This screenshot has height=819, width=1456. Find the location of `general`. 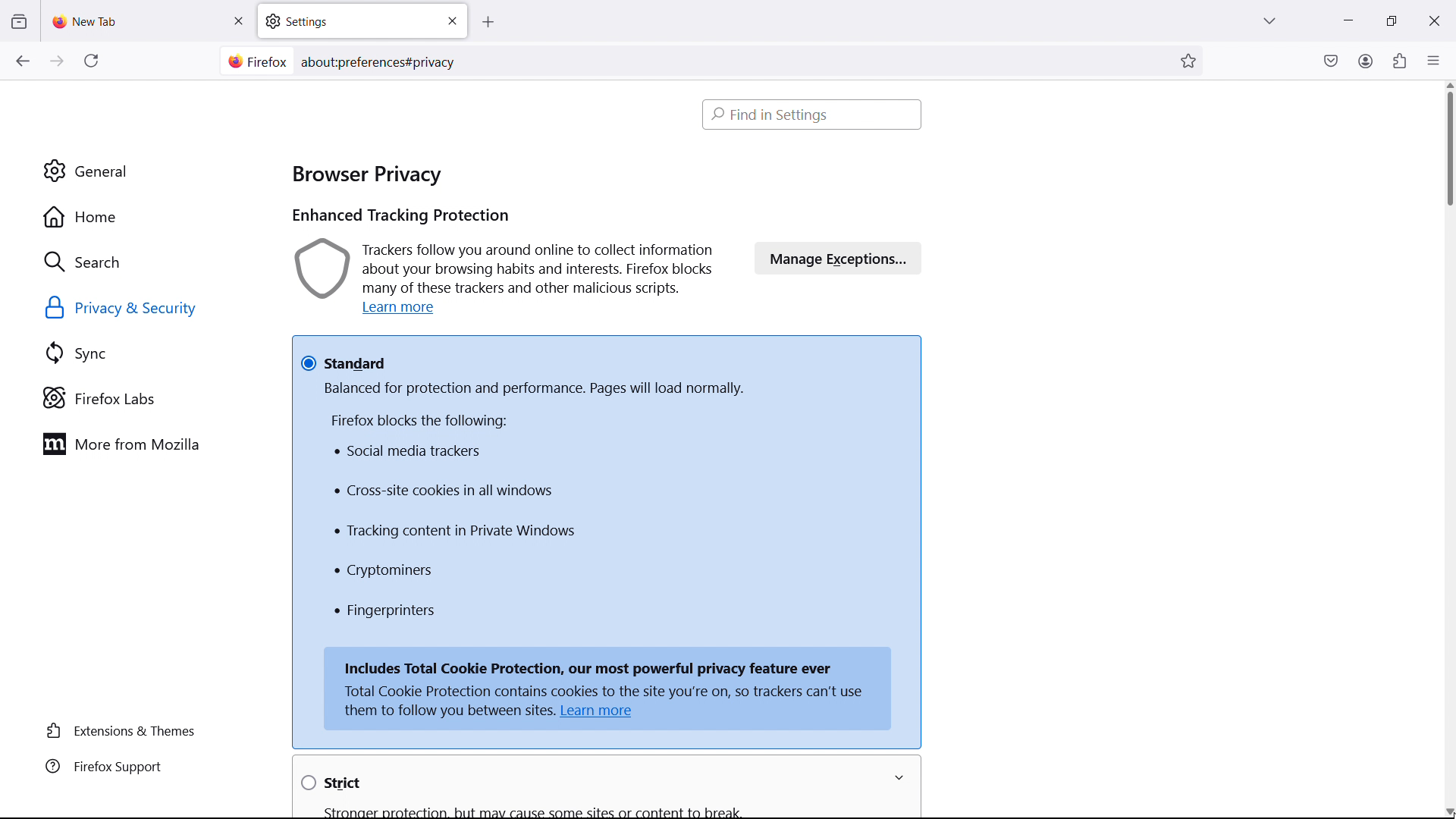

general is located at coordinates (143, 171).